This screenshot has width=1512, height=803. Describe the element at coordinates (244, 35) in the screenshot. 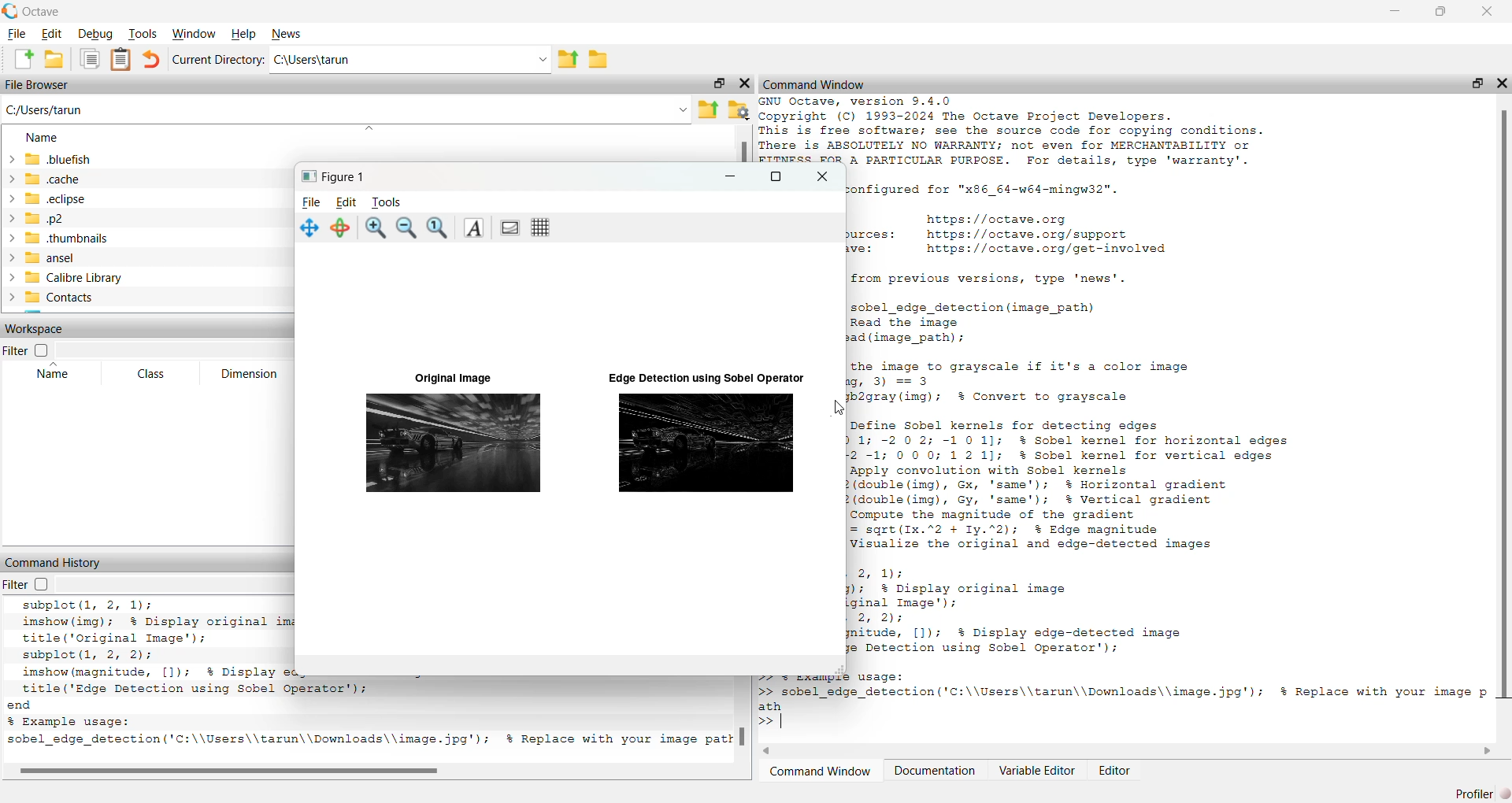

I see `Help` at that location.